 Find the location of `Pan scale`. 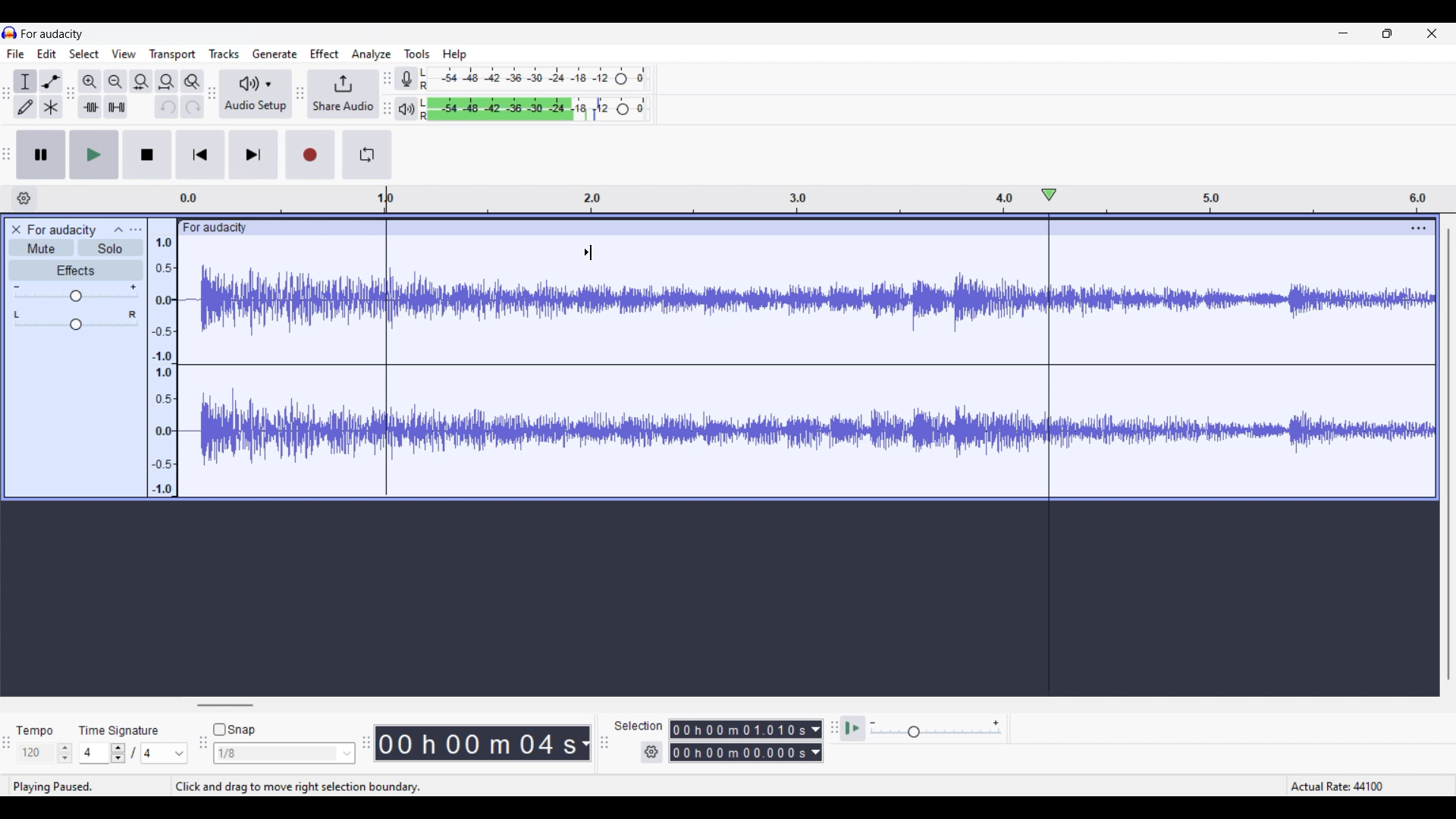

Pan scale is located at coordinates (75, 320).